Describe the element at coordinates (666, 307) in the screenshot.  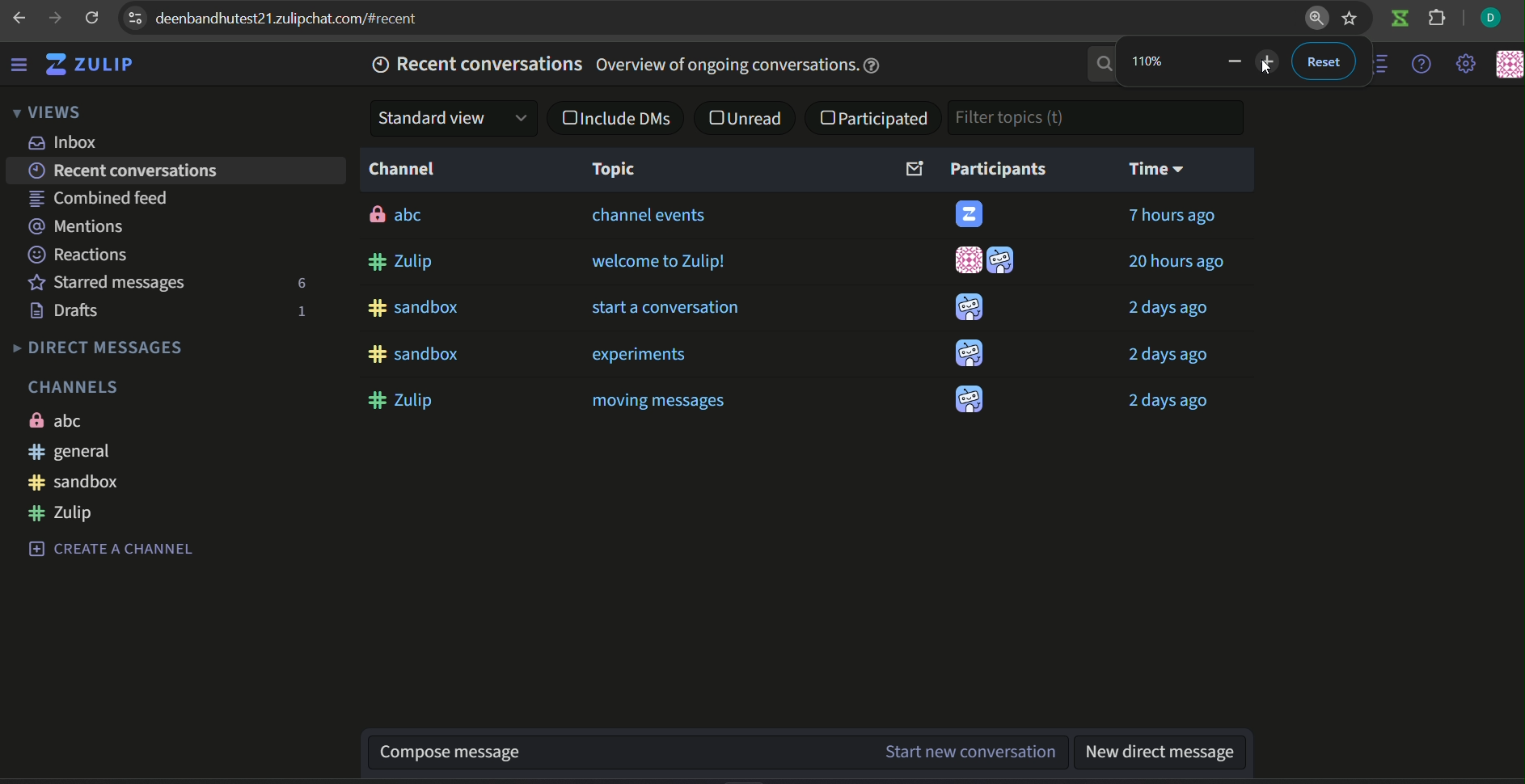
I see `start a conversation` at that location.